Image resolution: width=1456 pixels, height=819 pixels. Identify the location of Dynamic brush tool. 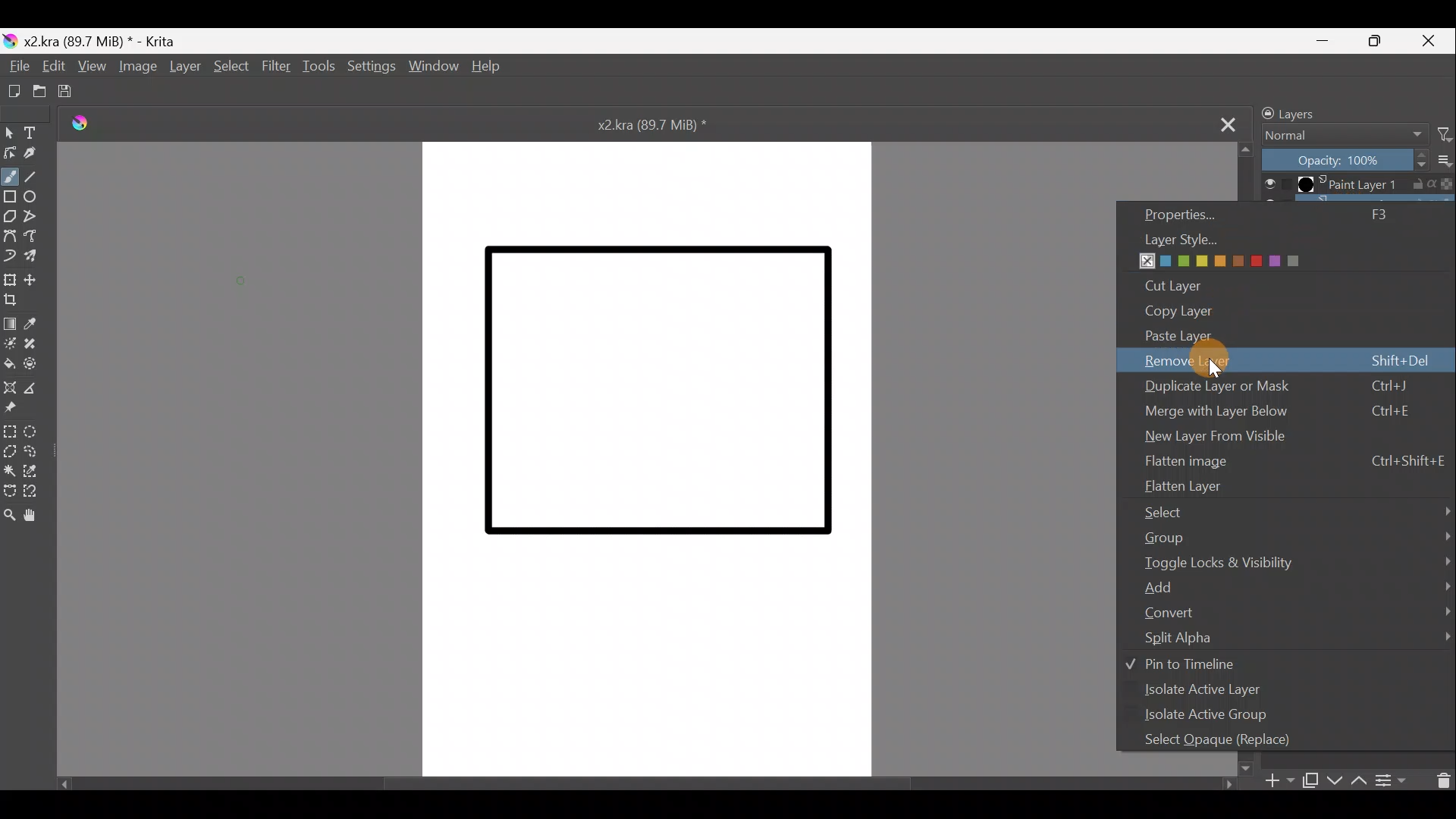
(9, 256).